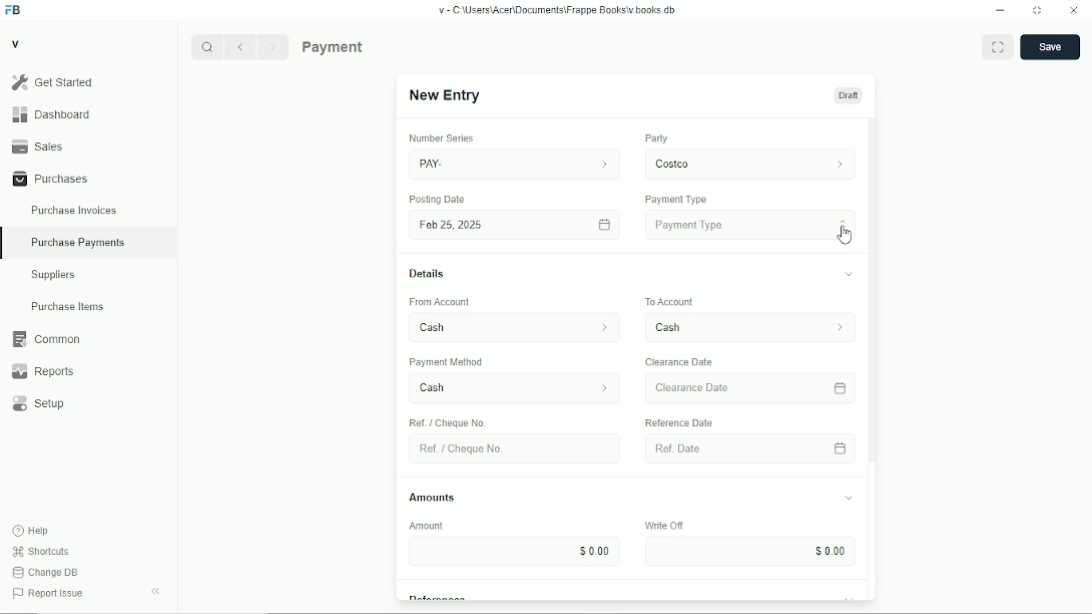  I want to click on Payment Type, so click(676, 199).